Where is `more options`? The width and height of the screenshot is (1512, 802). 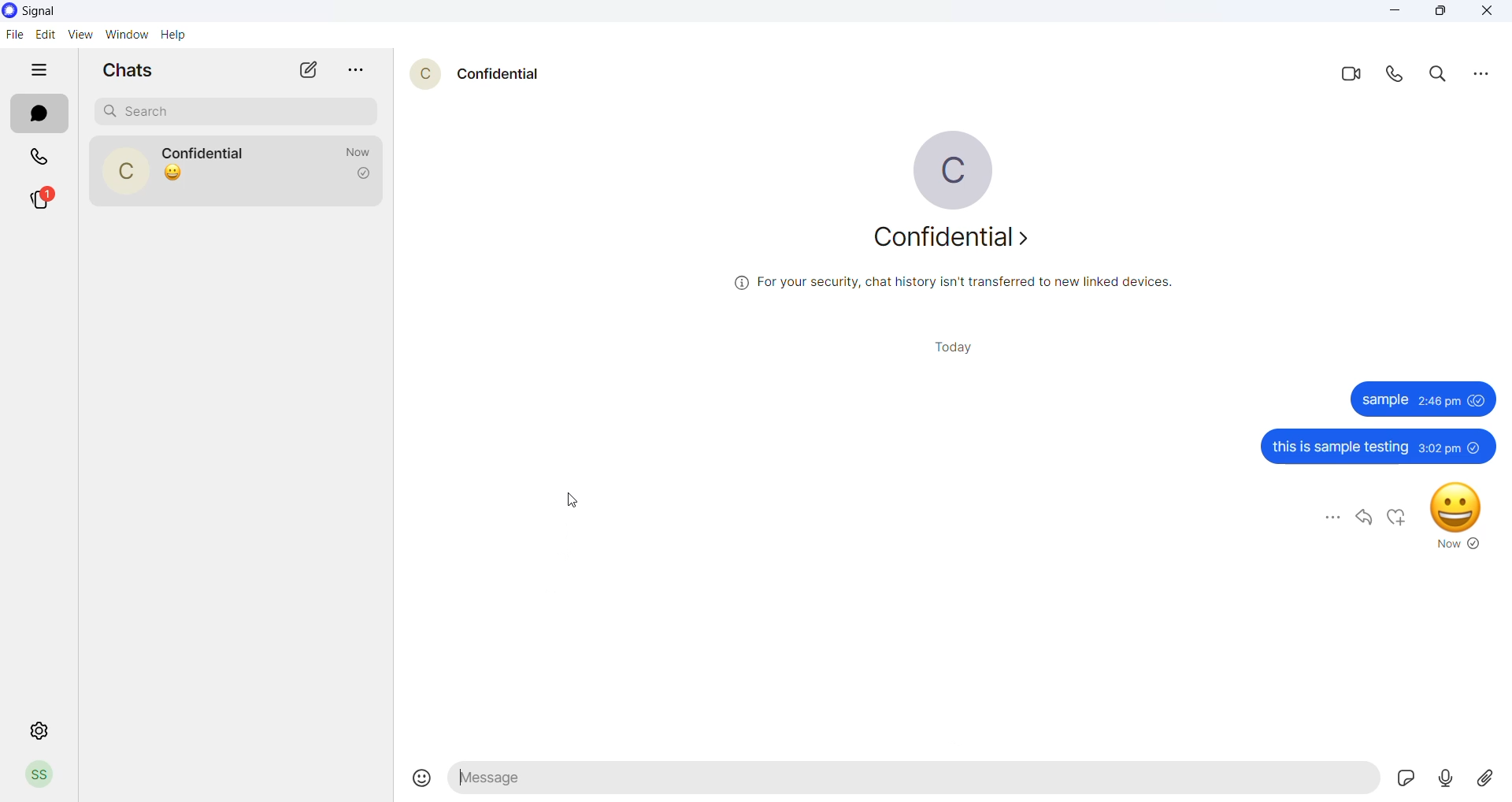 more options is located at coordinates (1333, 520).